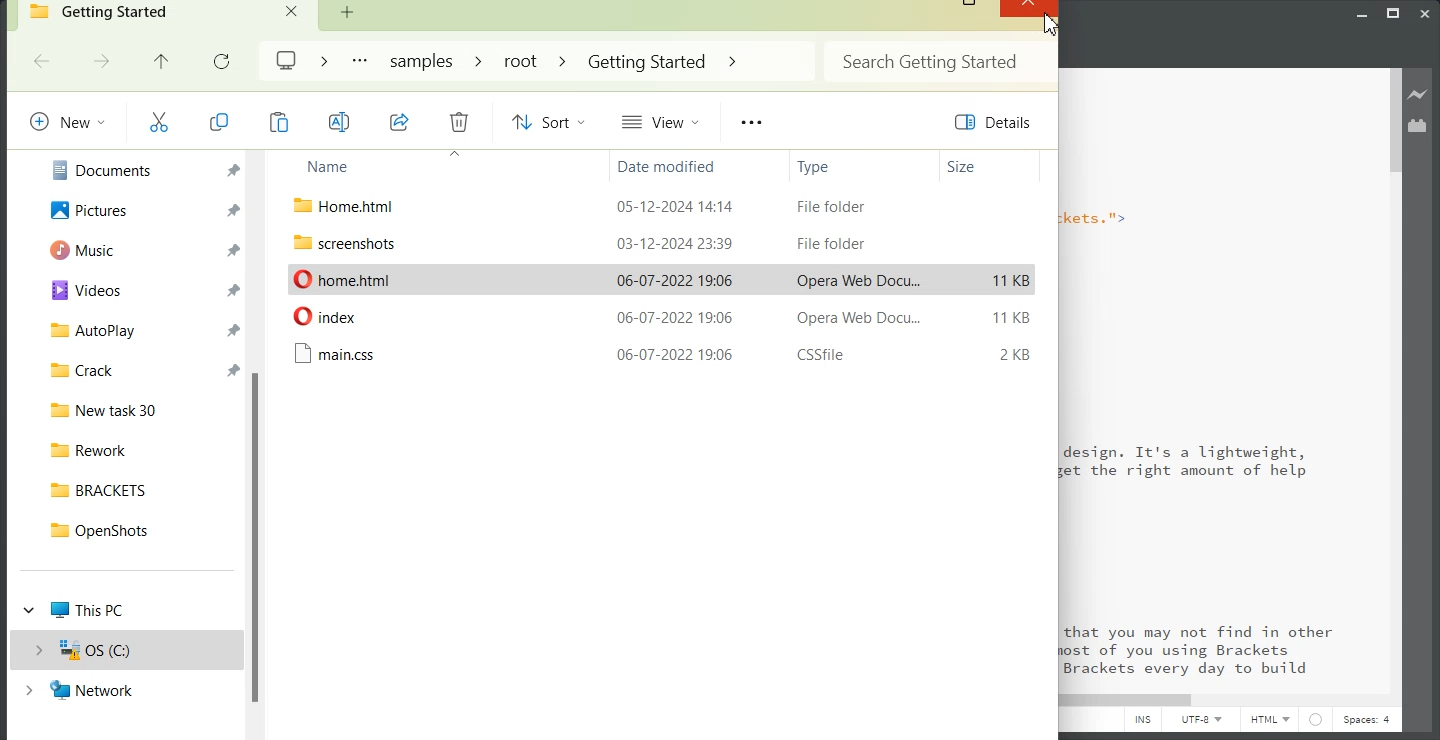  What do you see at coordinates (1202, 722) in the screenshot?
I see `UTF-8` at bounding box center [1202, 722].